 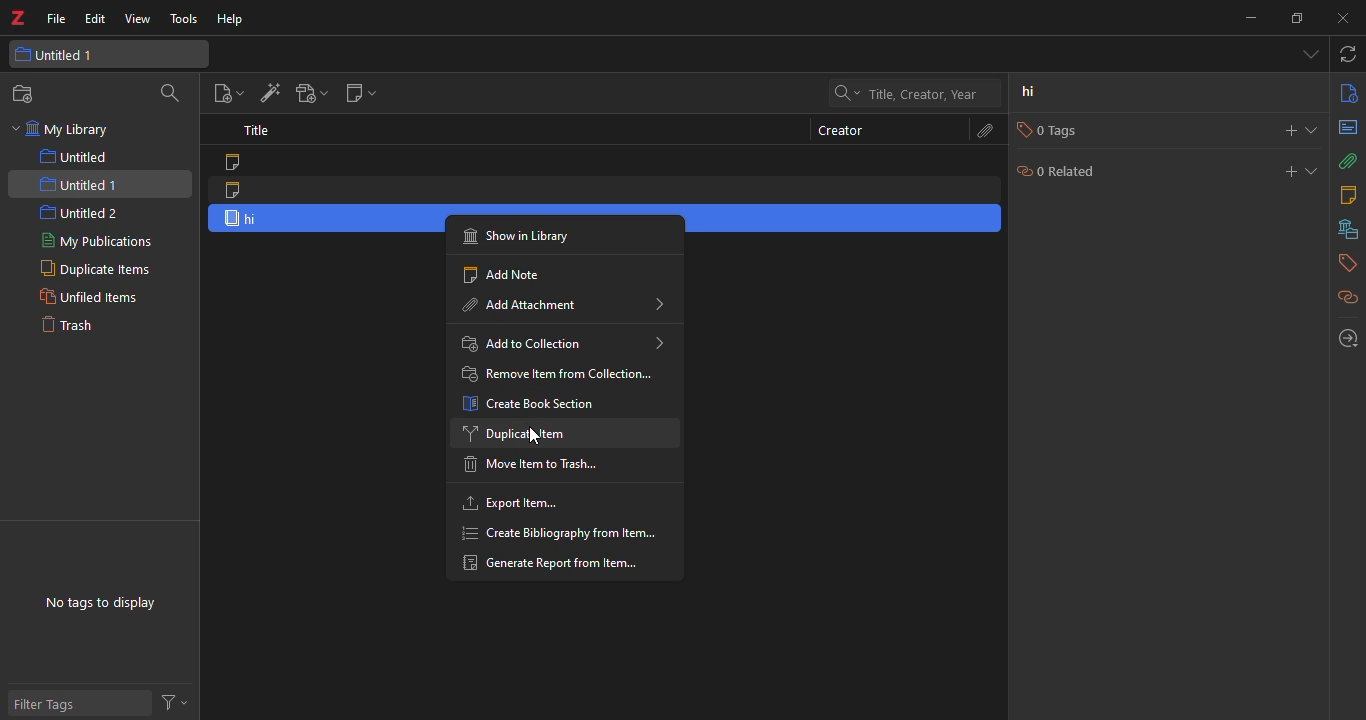 I want to click on duplicate items, so click(x=93, y=269).